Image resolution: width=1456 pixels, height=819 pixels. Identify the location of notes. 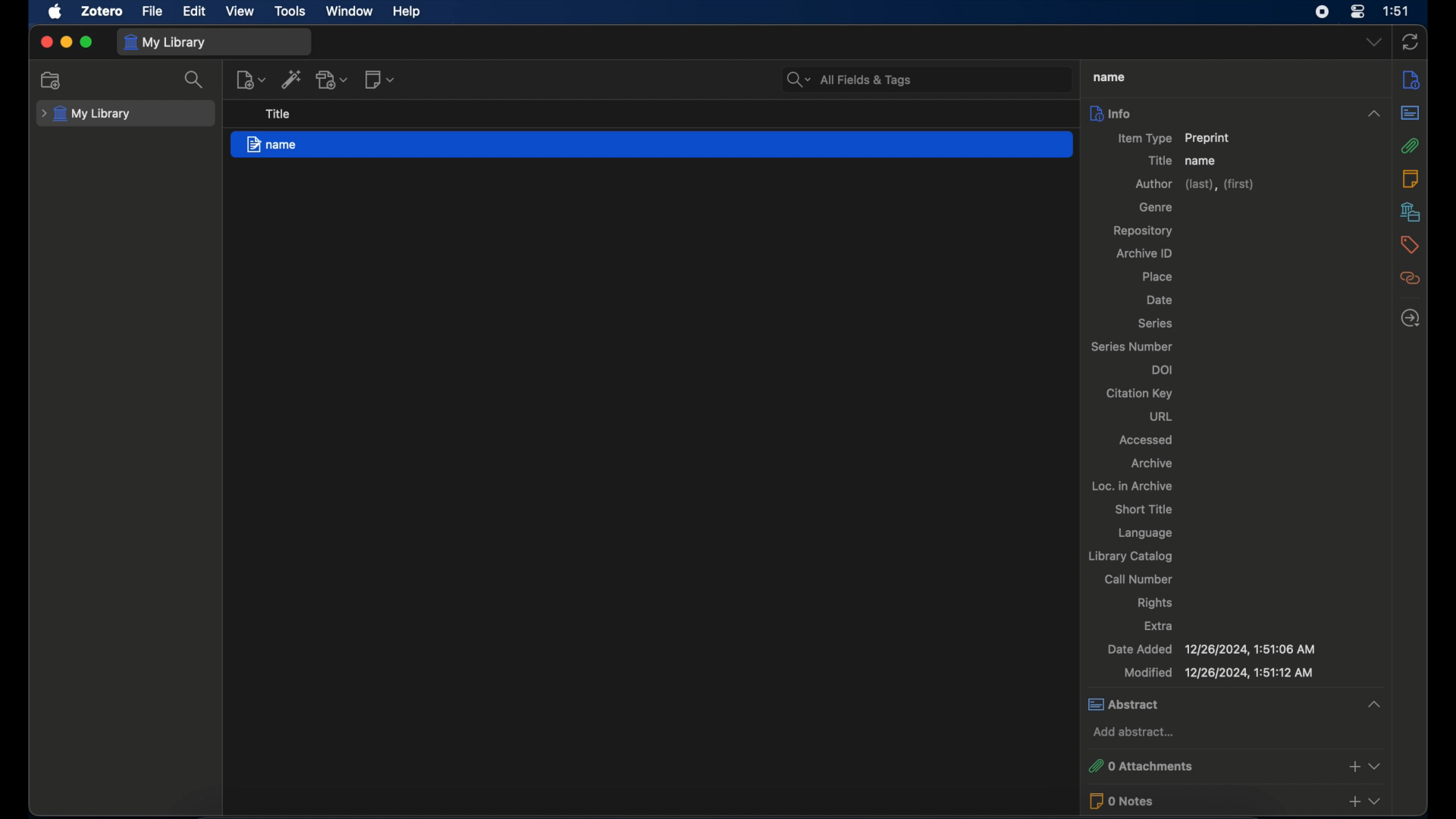
(1411, 178).